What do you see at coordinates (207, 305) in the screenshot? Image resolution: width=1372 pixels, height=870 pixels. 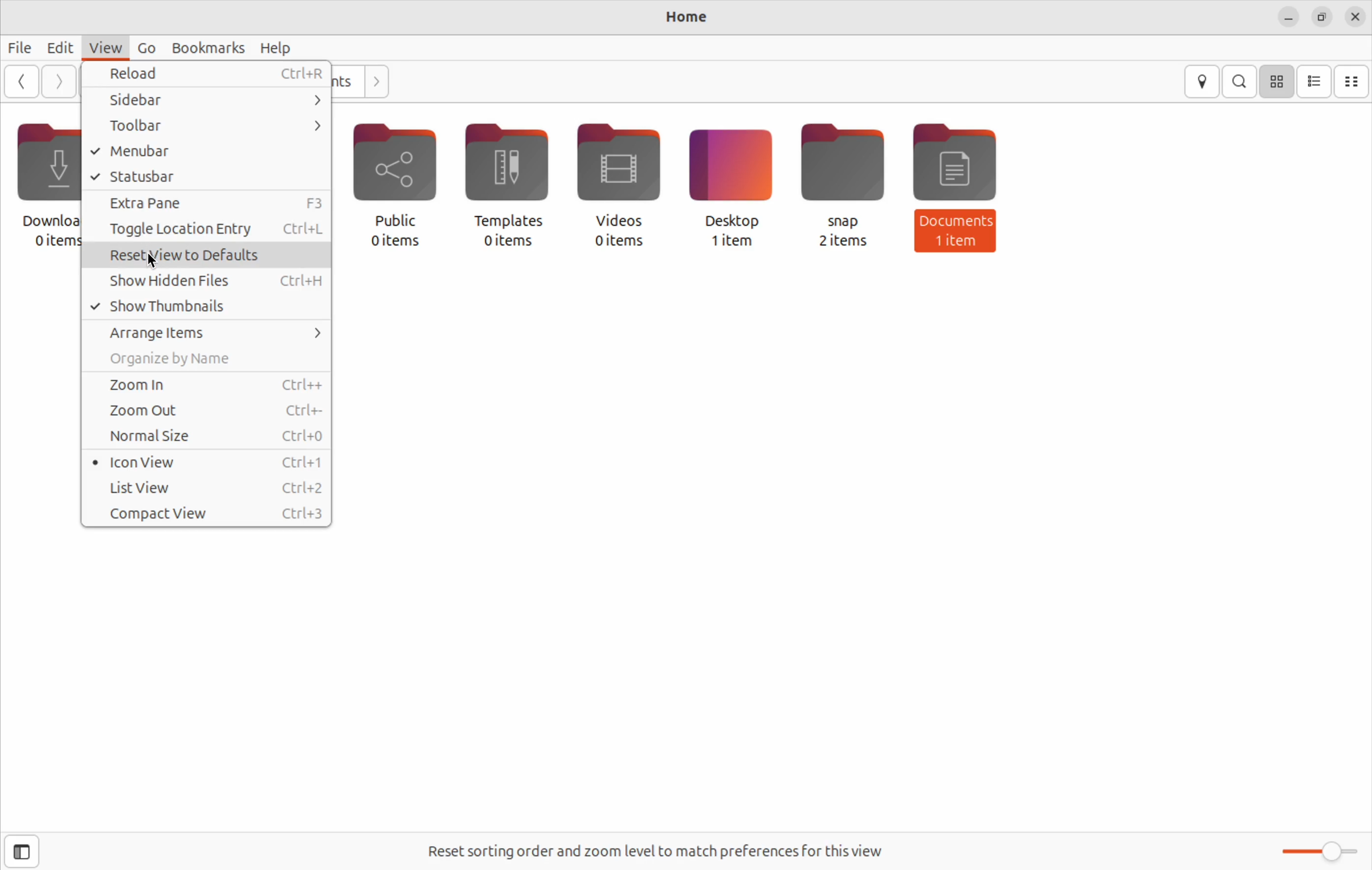 I see `Show Thumbnails` at bounding box center [207, 305].